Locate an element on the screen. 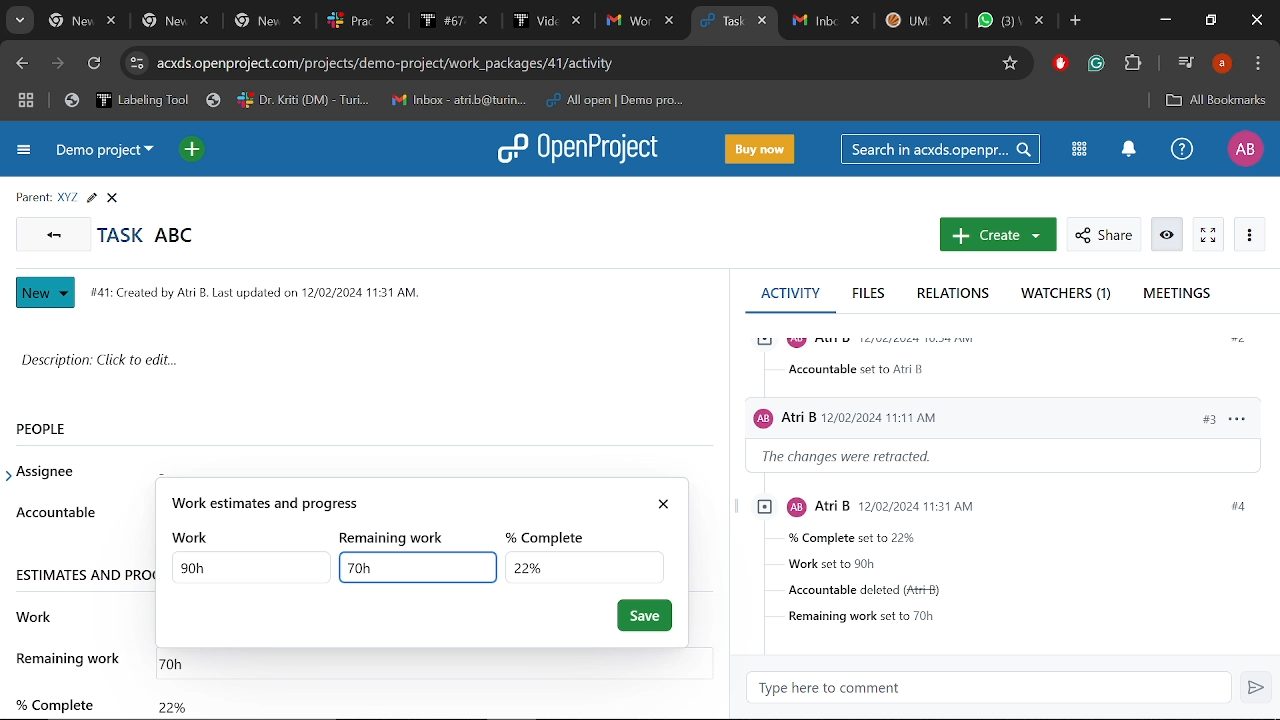  COmpleted work is located at coordinates (583, 566).